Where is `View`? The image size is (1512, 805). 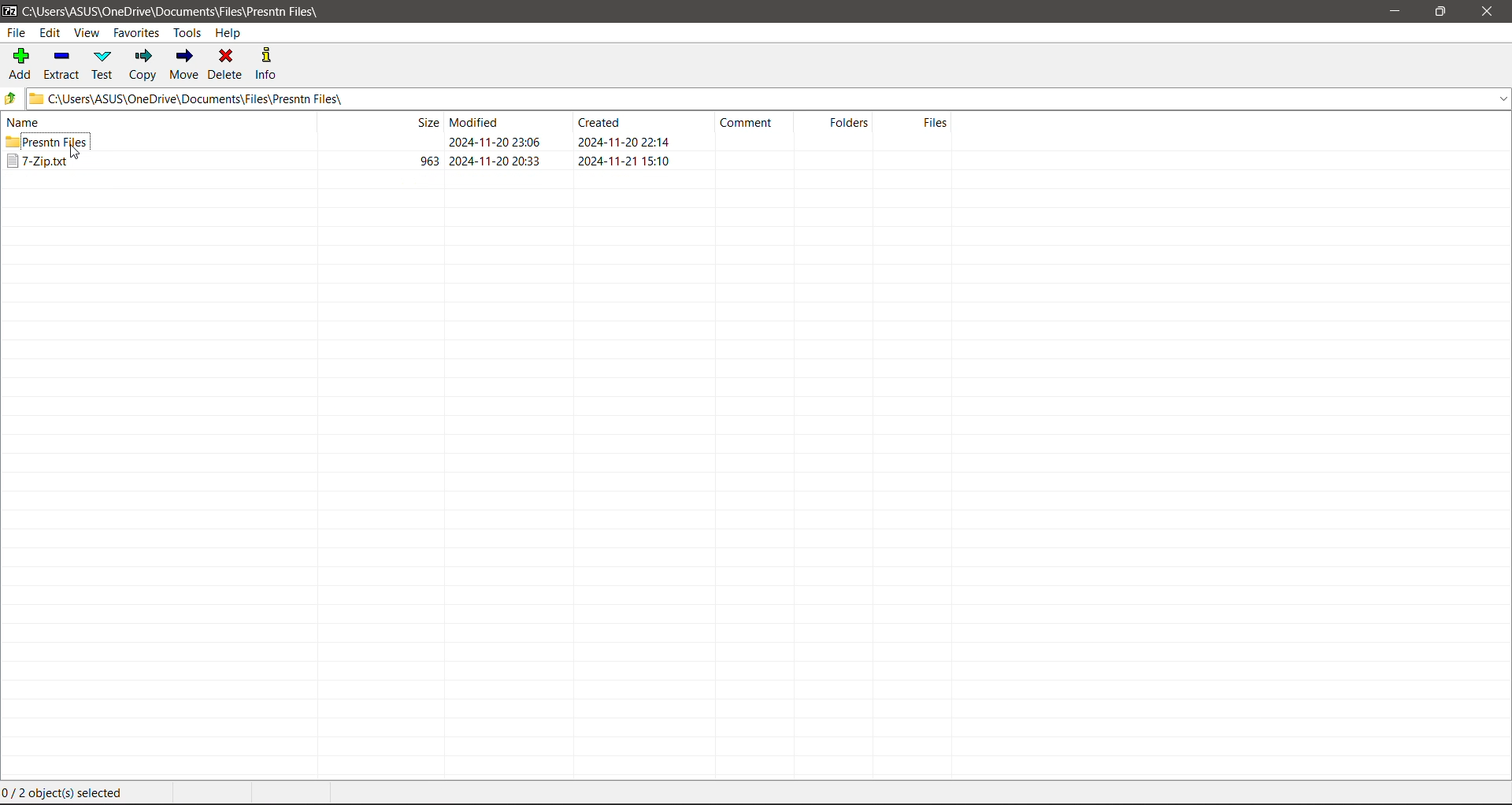 View is located at coordinates (87, 34).